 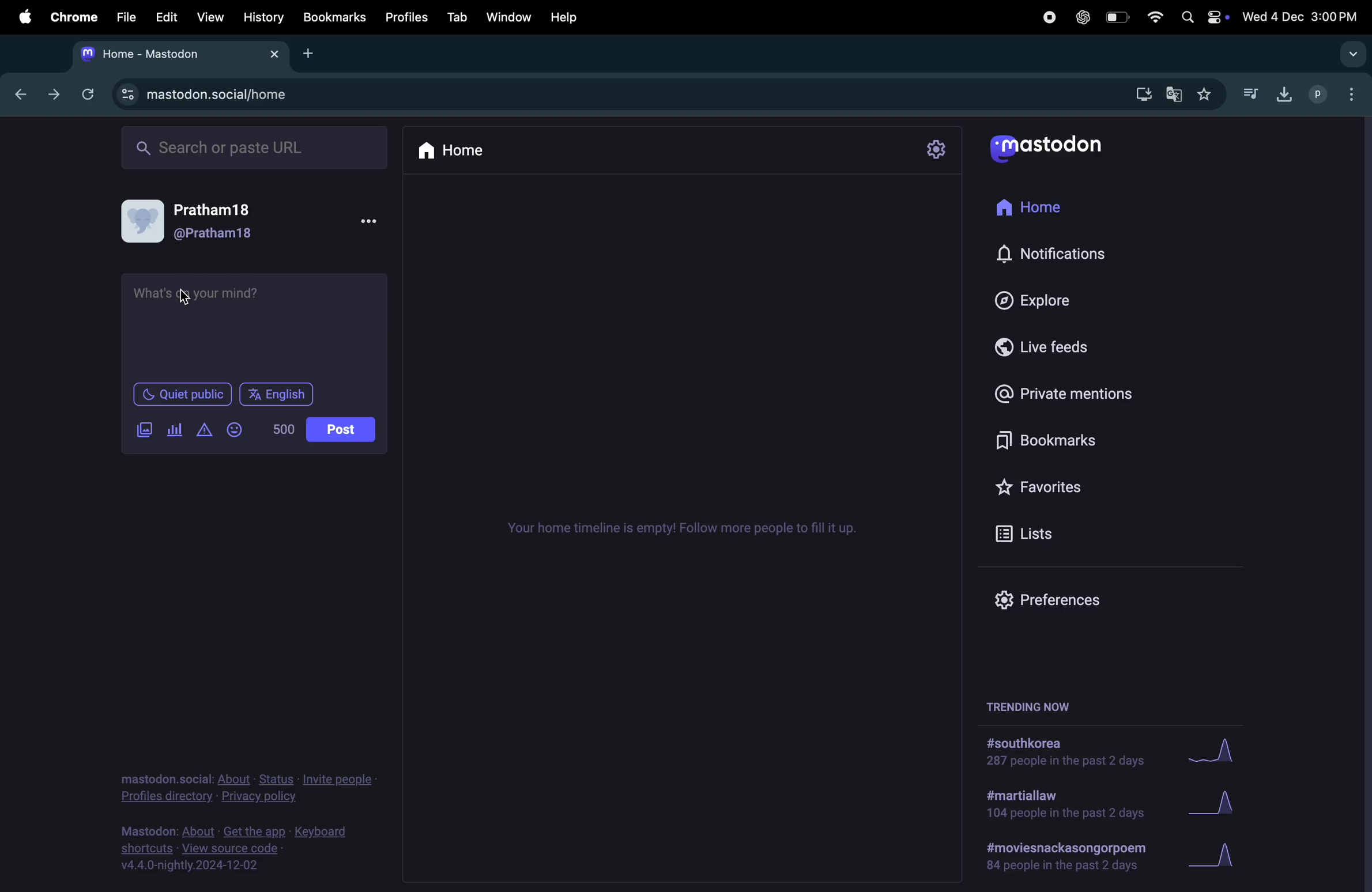 What do you see at coordinates (1173, 93) in the screenshot?
I see `translate` at bounding box center [1173, 93].